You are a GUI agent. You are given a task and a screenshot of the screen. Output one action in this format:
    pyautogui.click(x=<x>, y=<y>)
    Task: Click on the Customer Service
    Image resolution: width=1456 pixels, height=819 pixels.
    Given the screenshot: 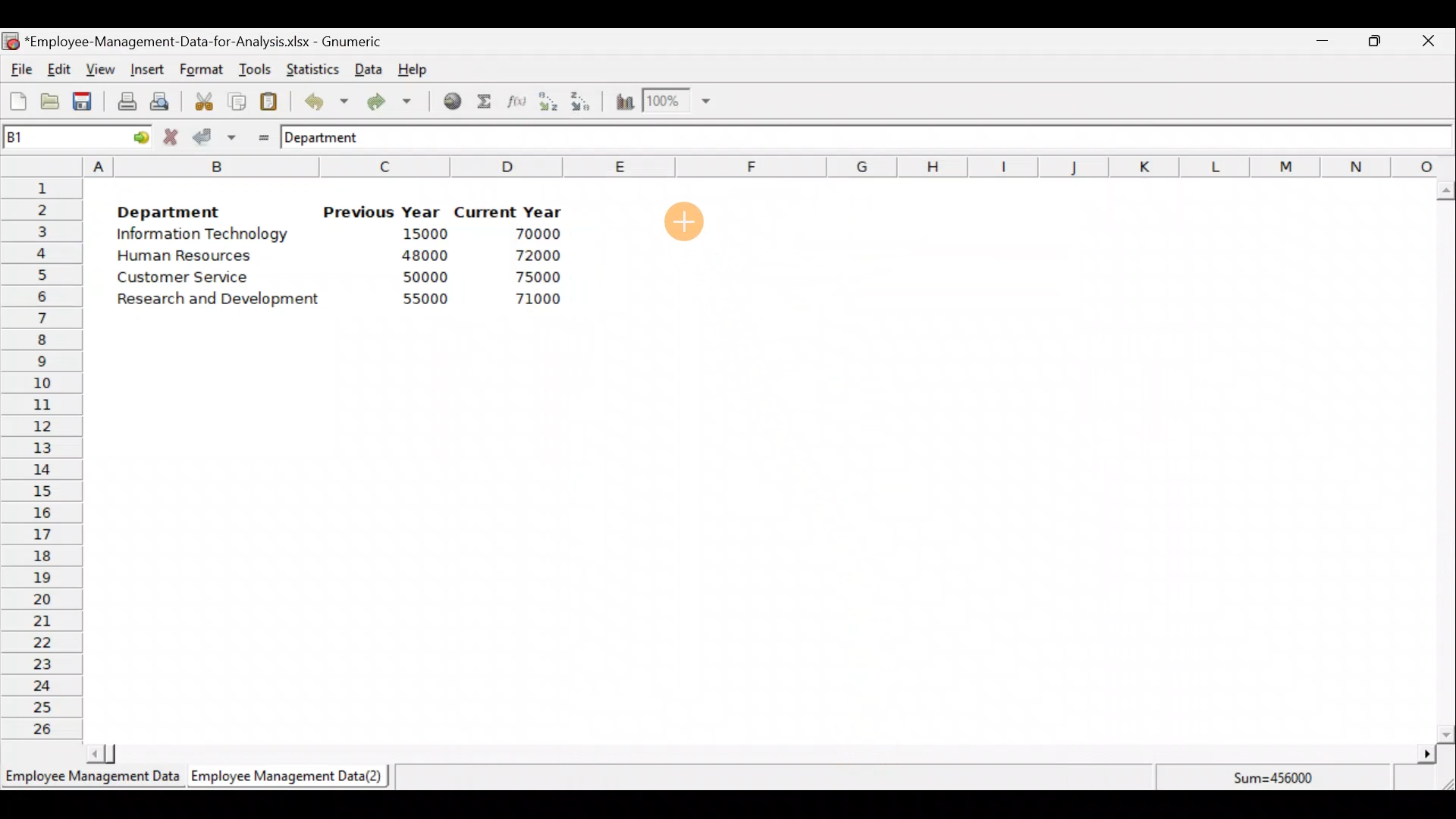 What is the action you would take?
    pyautogui.click(x=187, y=281)
    